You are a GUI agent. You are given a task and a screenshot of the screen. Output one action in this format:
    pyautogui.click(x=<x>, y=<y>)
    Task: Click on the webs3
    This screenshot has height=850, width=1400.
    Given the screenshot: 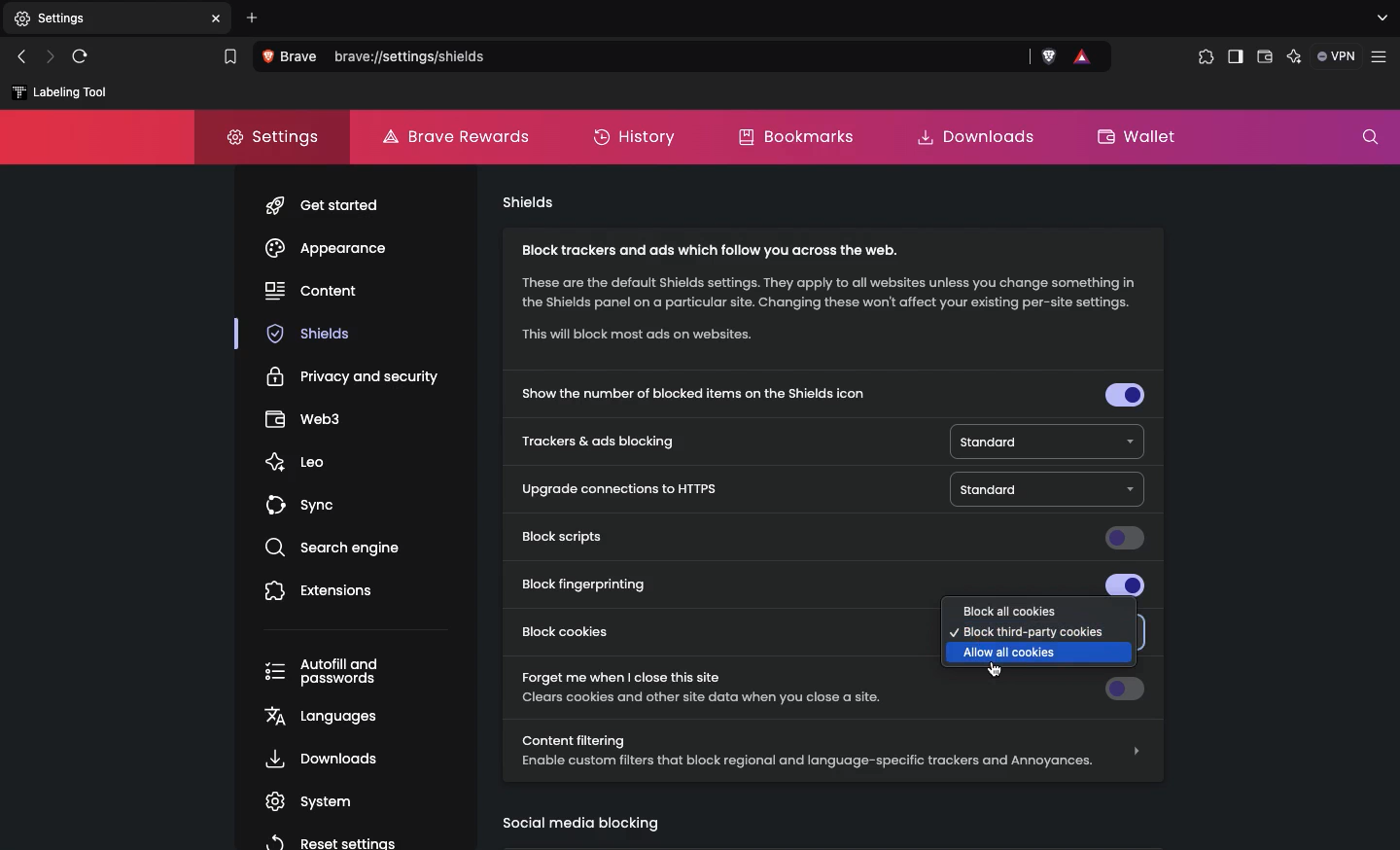 What is the action you would take?
    pyautogui.click(x=306, y=422)
    